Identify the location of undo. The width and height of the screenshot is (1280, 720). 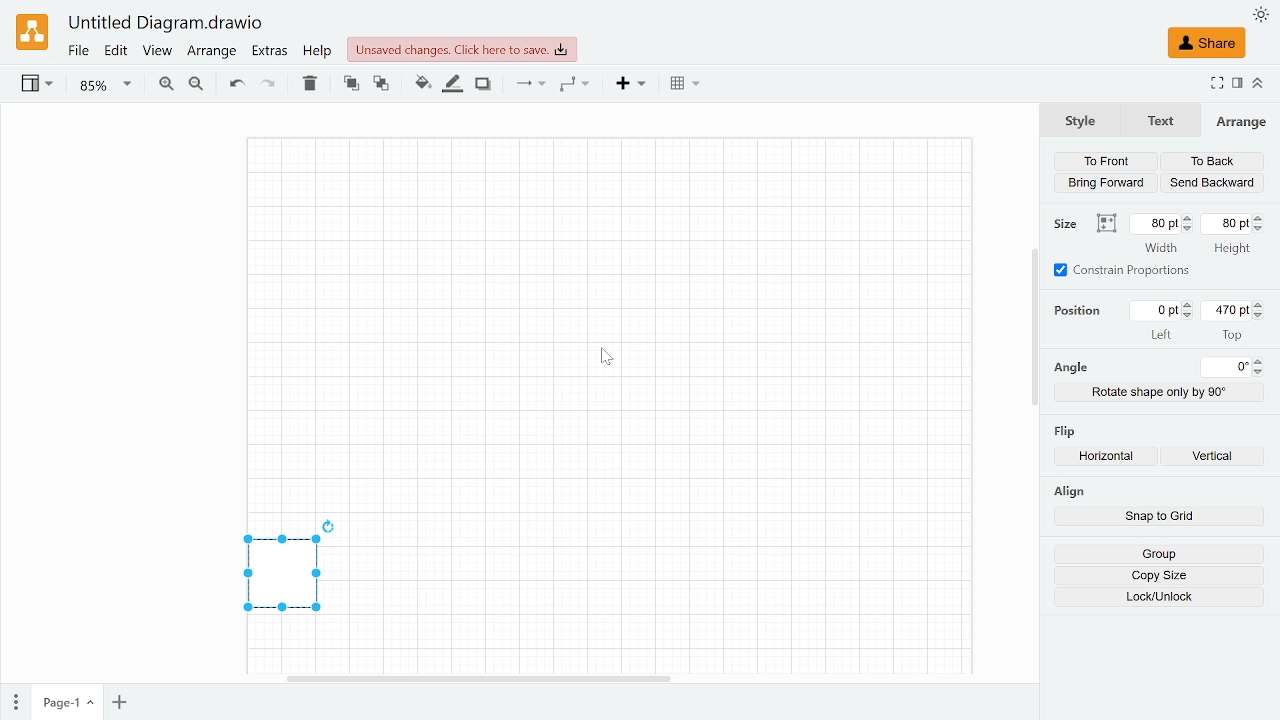
(234, 84).